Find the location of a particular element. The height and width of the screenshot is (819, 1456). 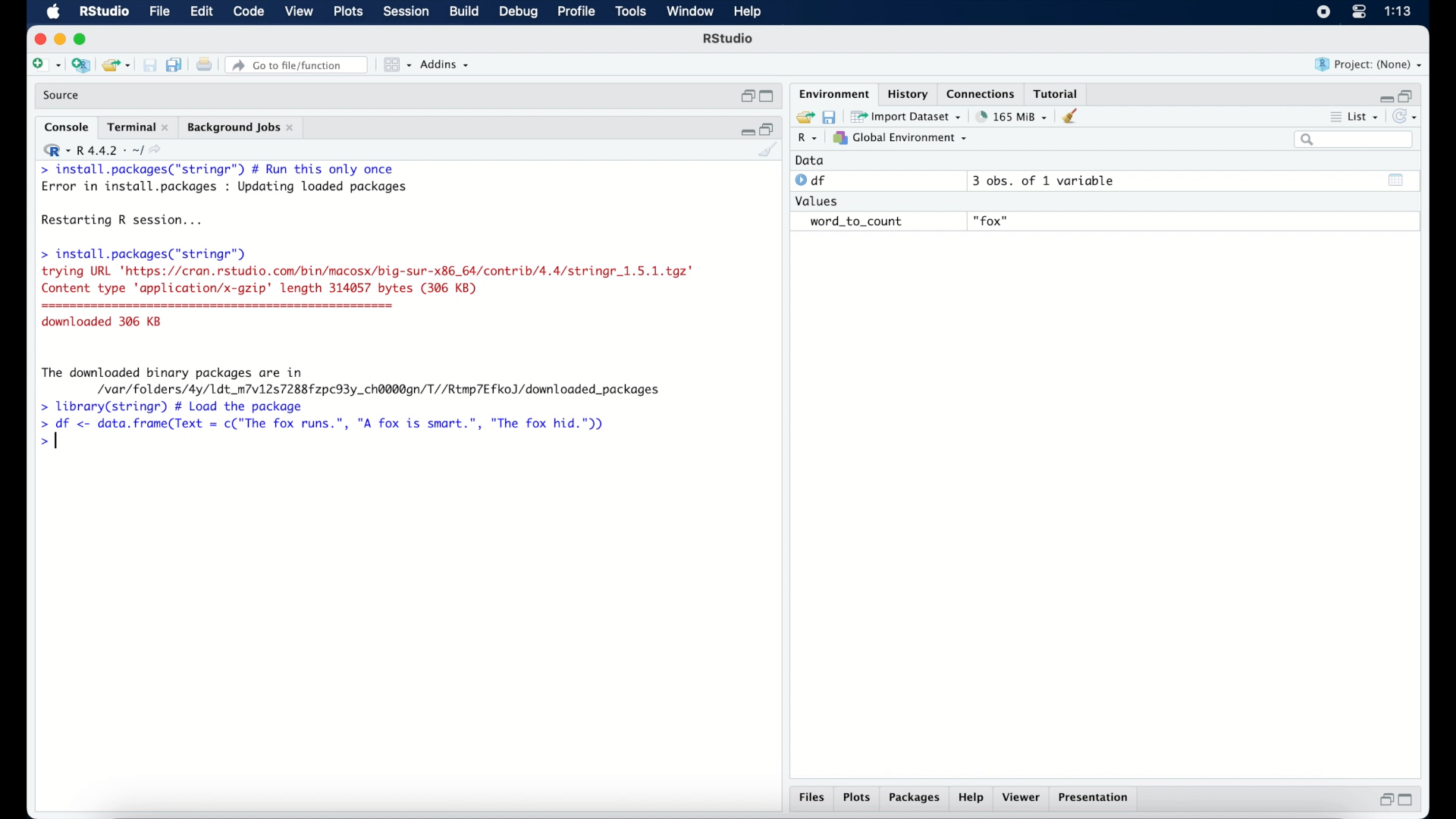

build is located at coordinates (463, 11).